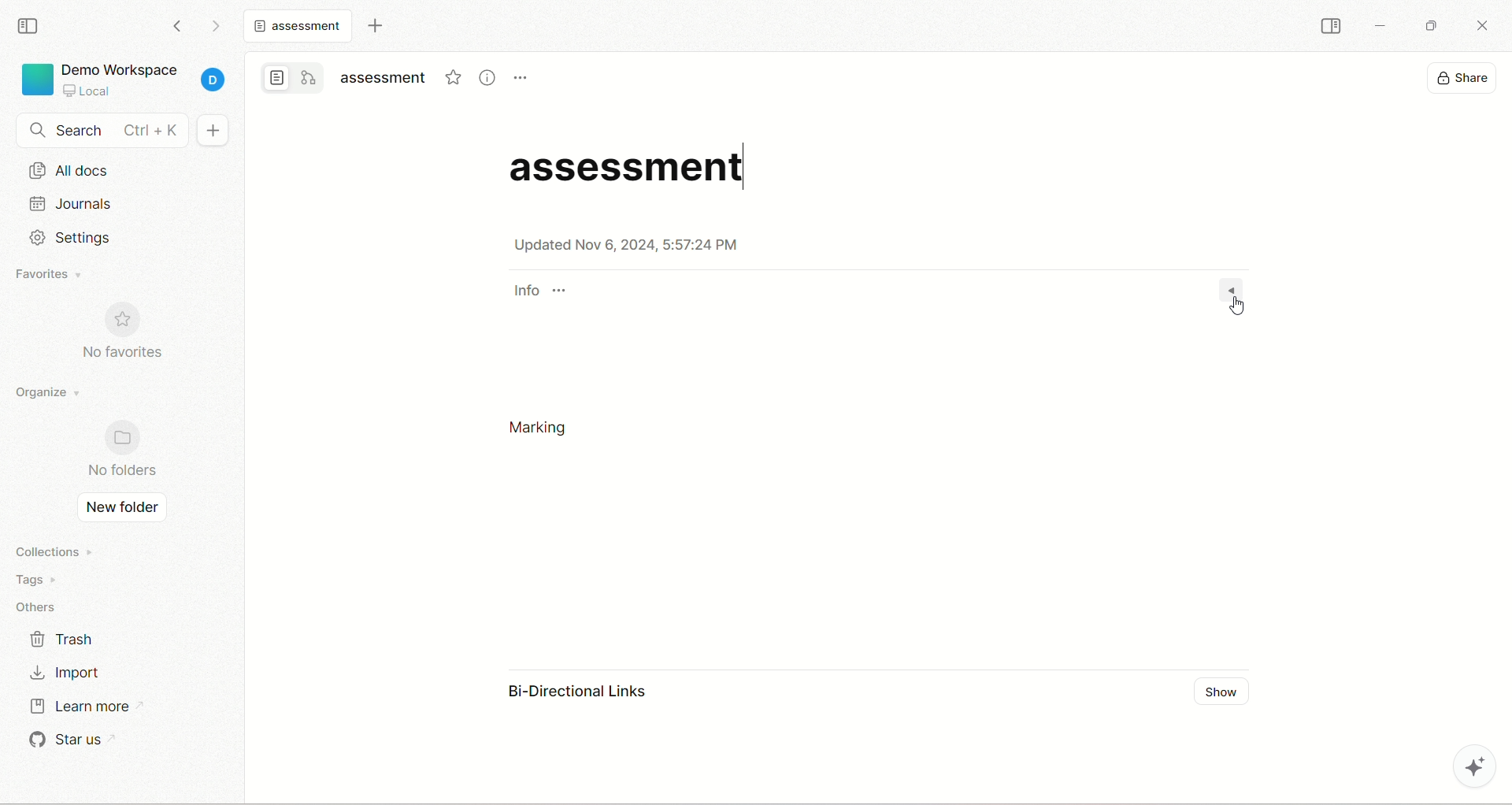  Describe the element at coordinates (72, 202) in the screenshot. I see `journals` at that location.